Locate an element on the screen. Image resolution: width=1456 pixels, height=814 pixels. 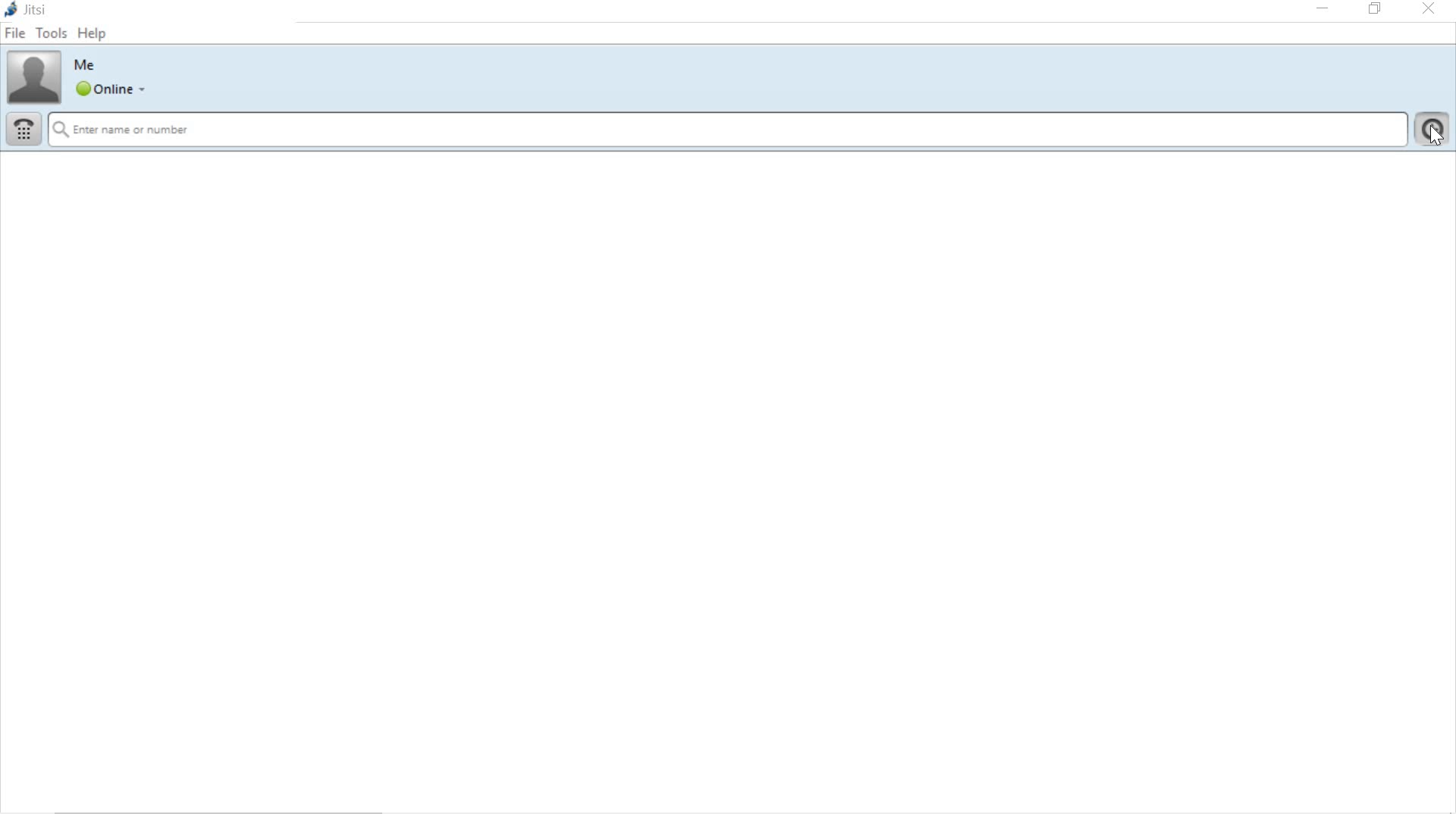
file is located at coordinates (16, 35).